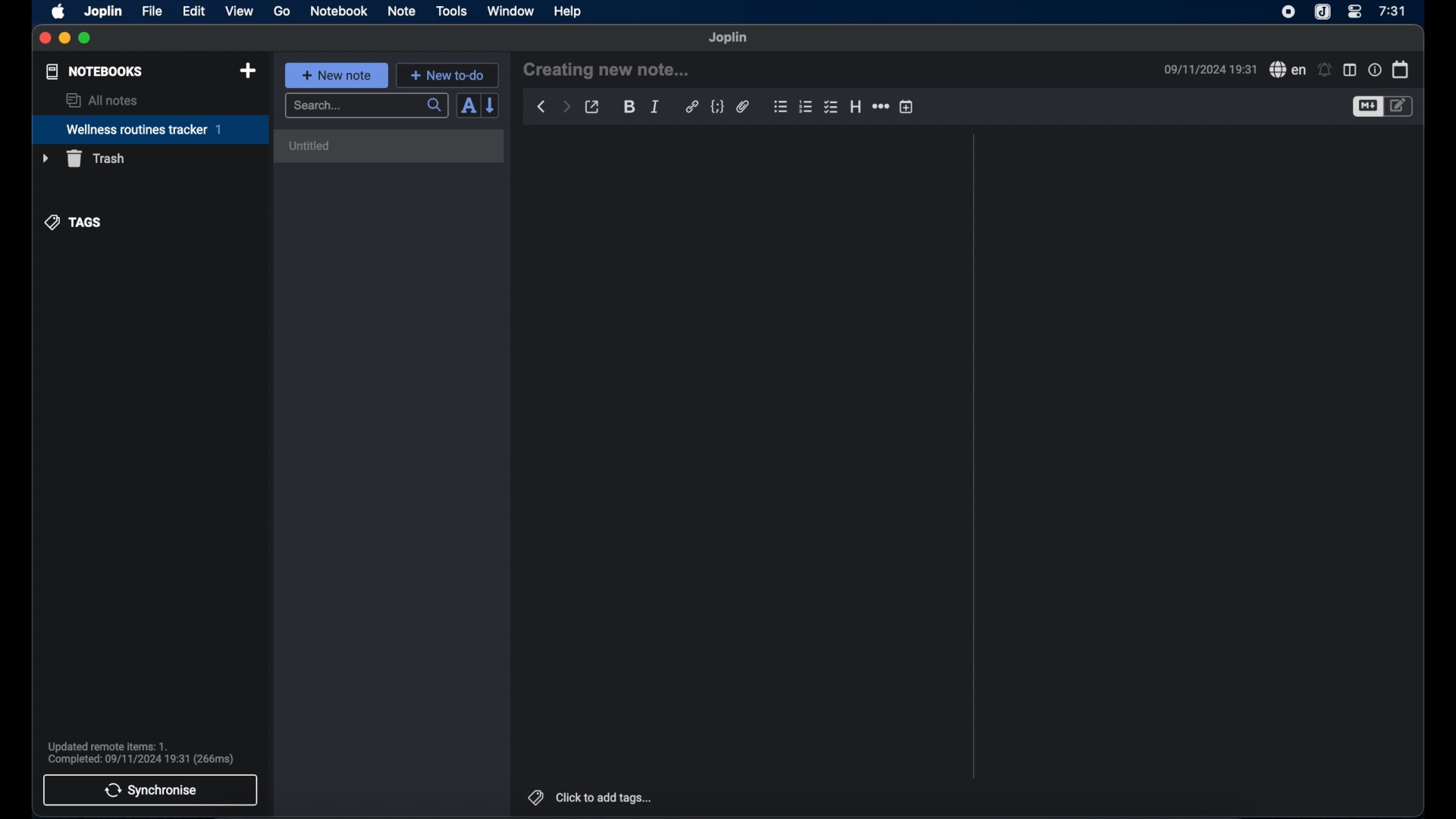 This screenshot has width=1456, height=819. I want to click on joplin, so click(104, 12).